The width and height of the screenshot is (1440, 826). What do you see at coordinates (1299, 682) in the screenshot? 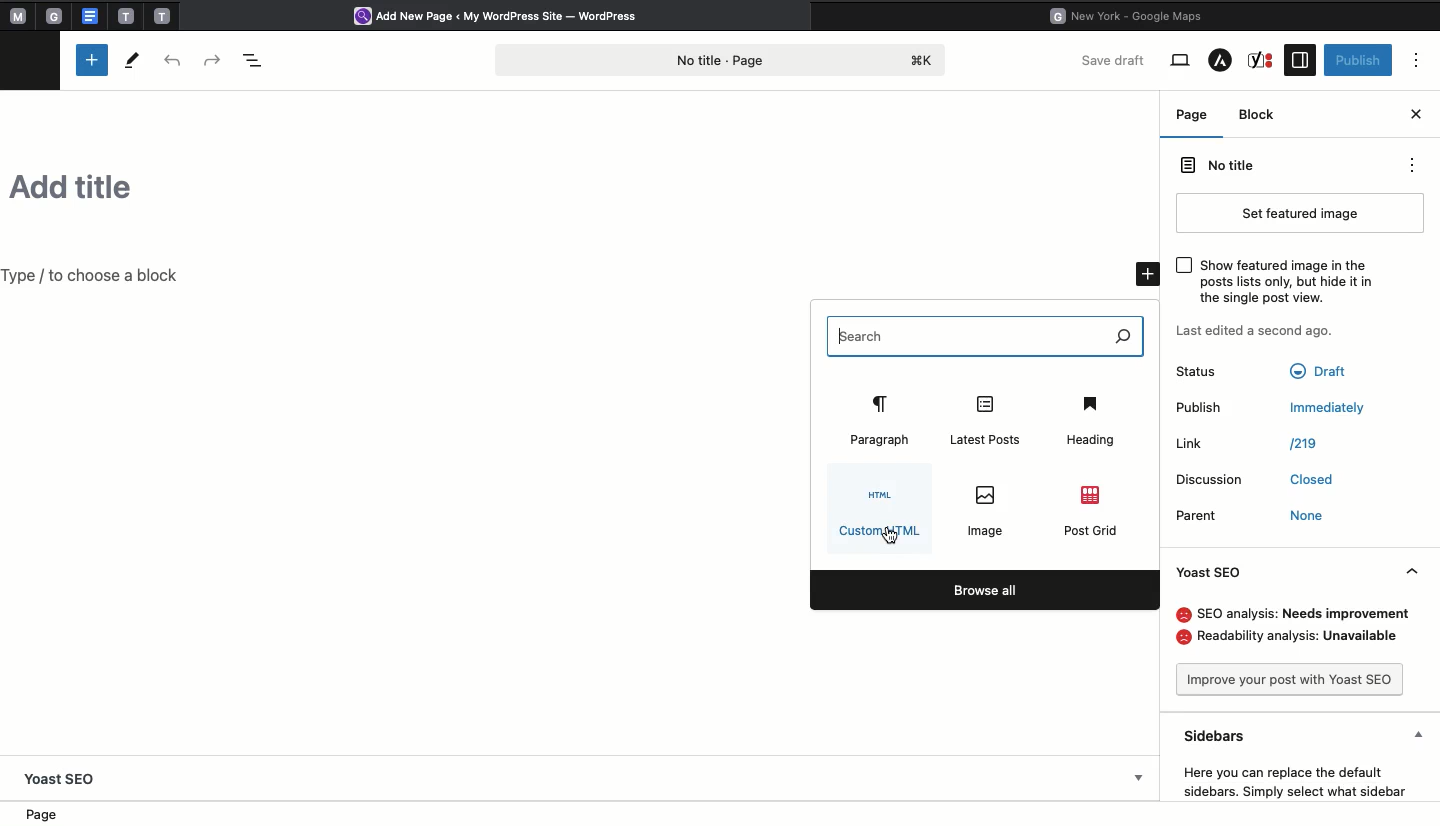
I see `Improve` at bounding box center [1299, 682].